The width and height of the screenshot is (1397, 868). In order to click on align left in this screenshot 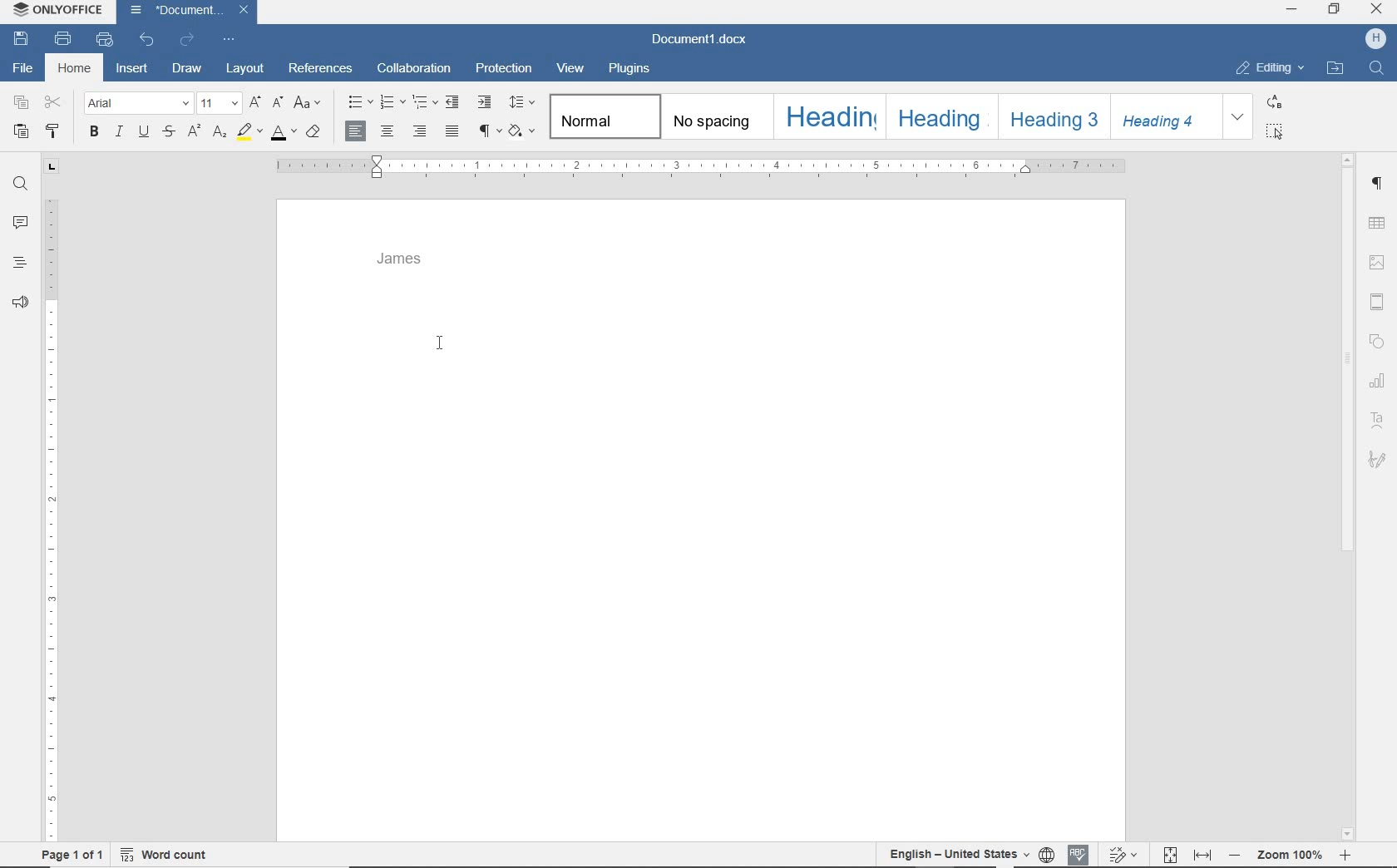, I will do `click(357, 131)`.